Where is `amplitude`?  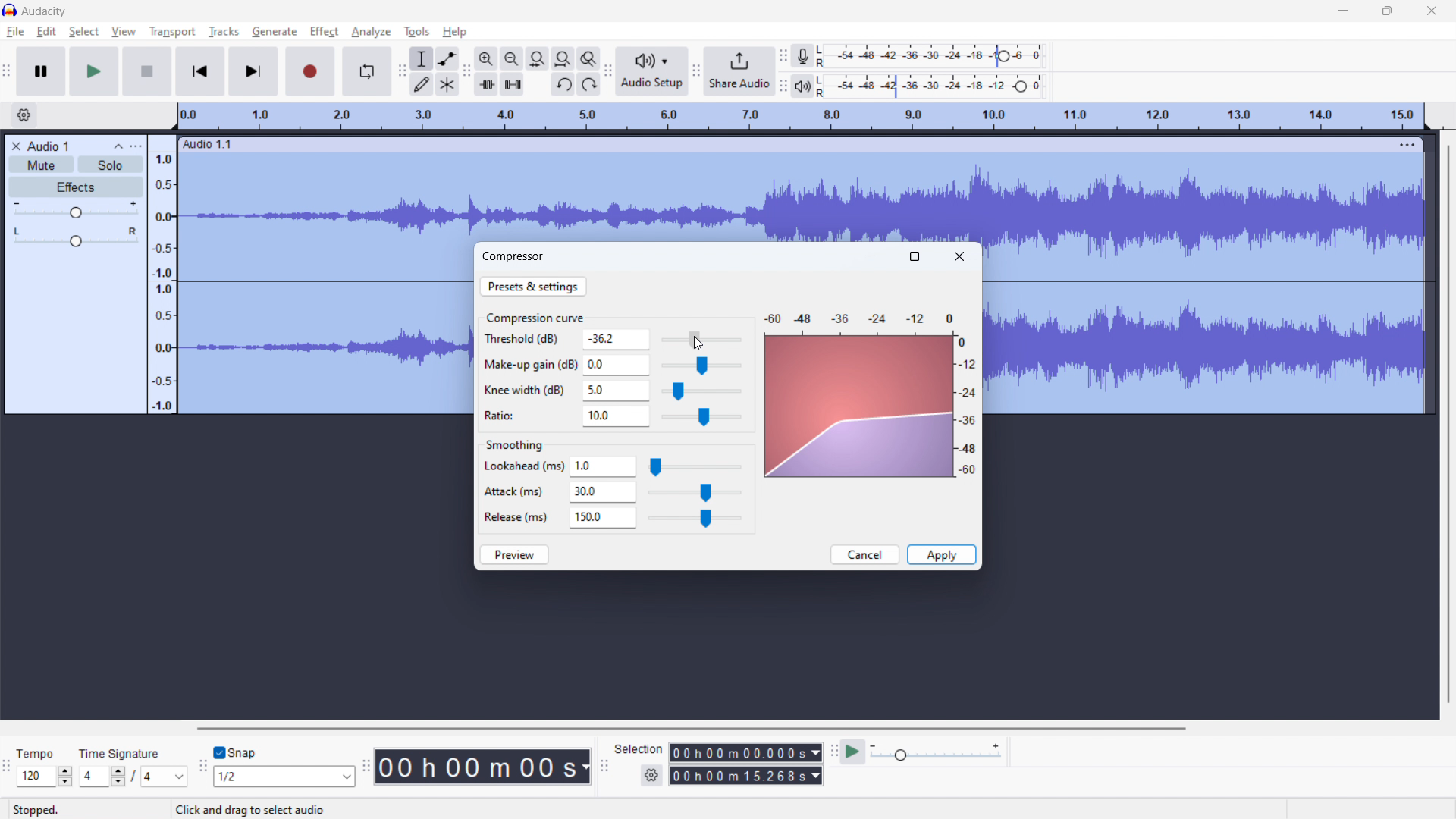 amplitude is located at coordinates (162, 273).